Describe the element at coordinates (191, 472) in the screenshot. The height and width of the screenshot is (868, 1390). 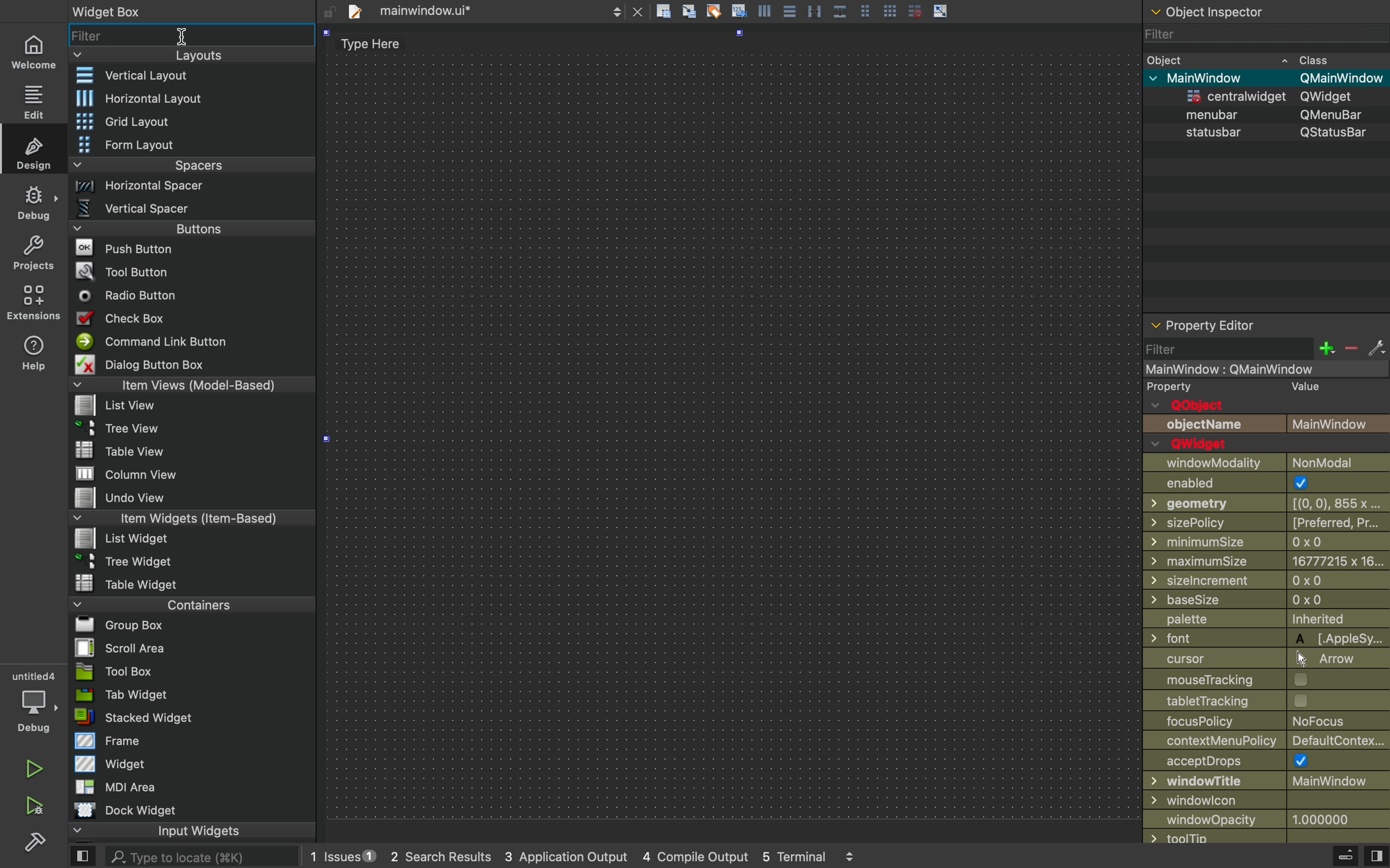
I see `column view` at that location.